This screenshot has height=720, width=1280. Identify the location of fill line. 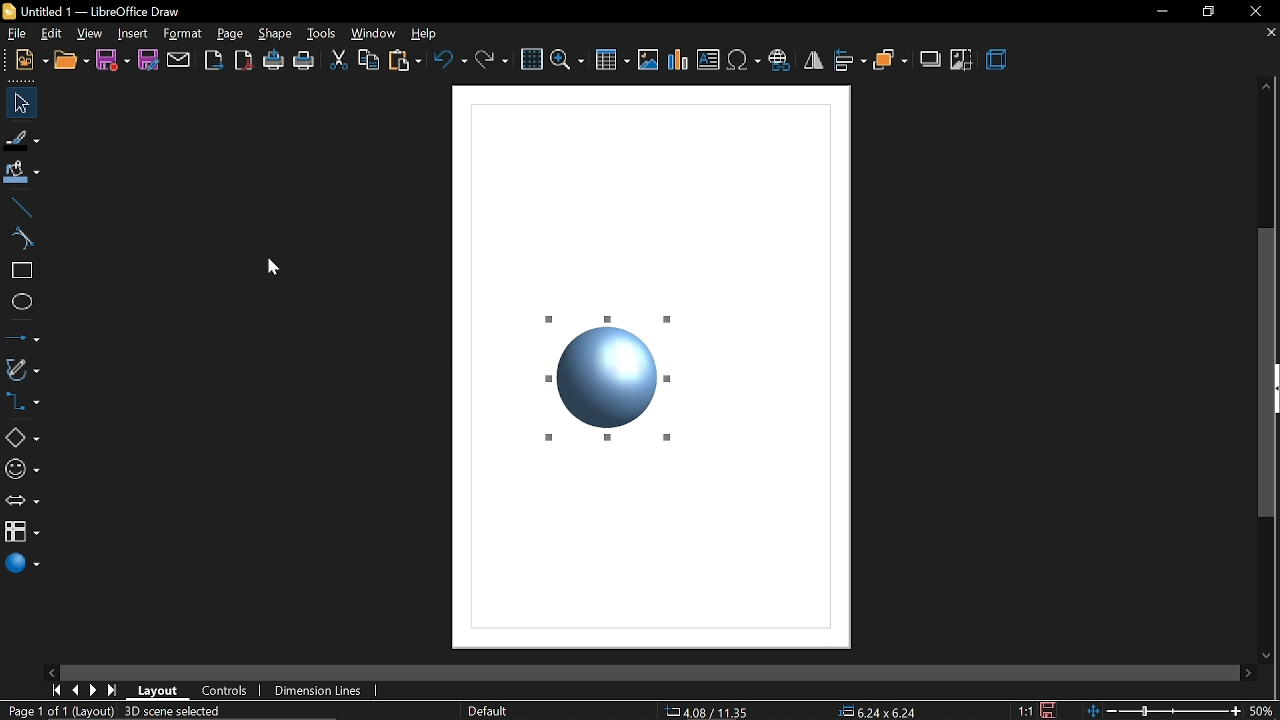
(22, 141).